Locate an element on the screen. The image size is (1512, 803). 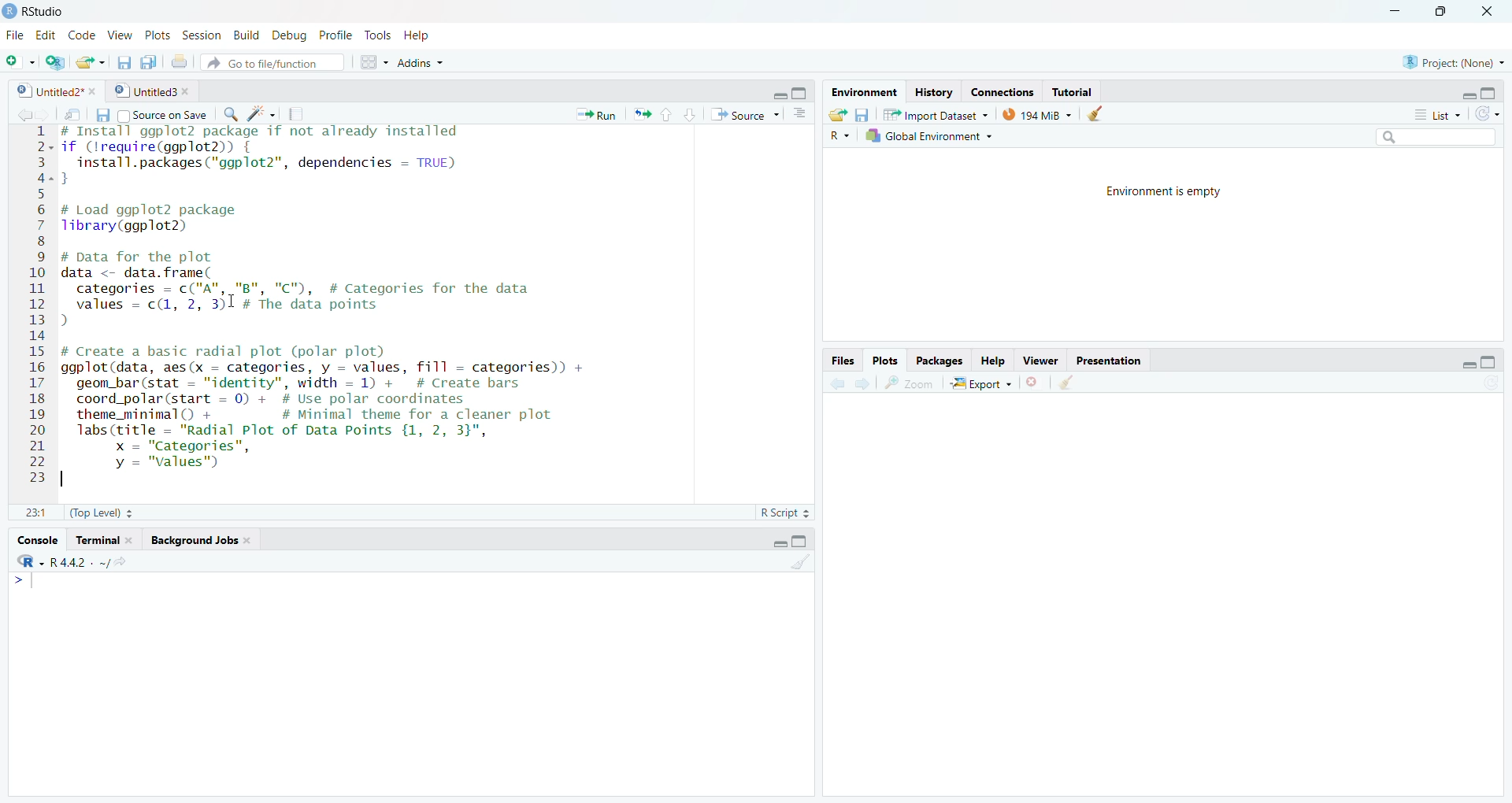
History is located at coordinates (935, 91).